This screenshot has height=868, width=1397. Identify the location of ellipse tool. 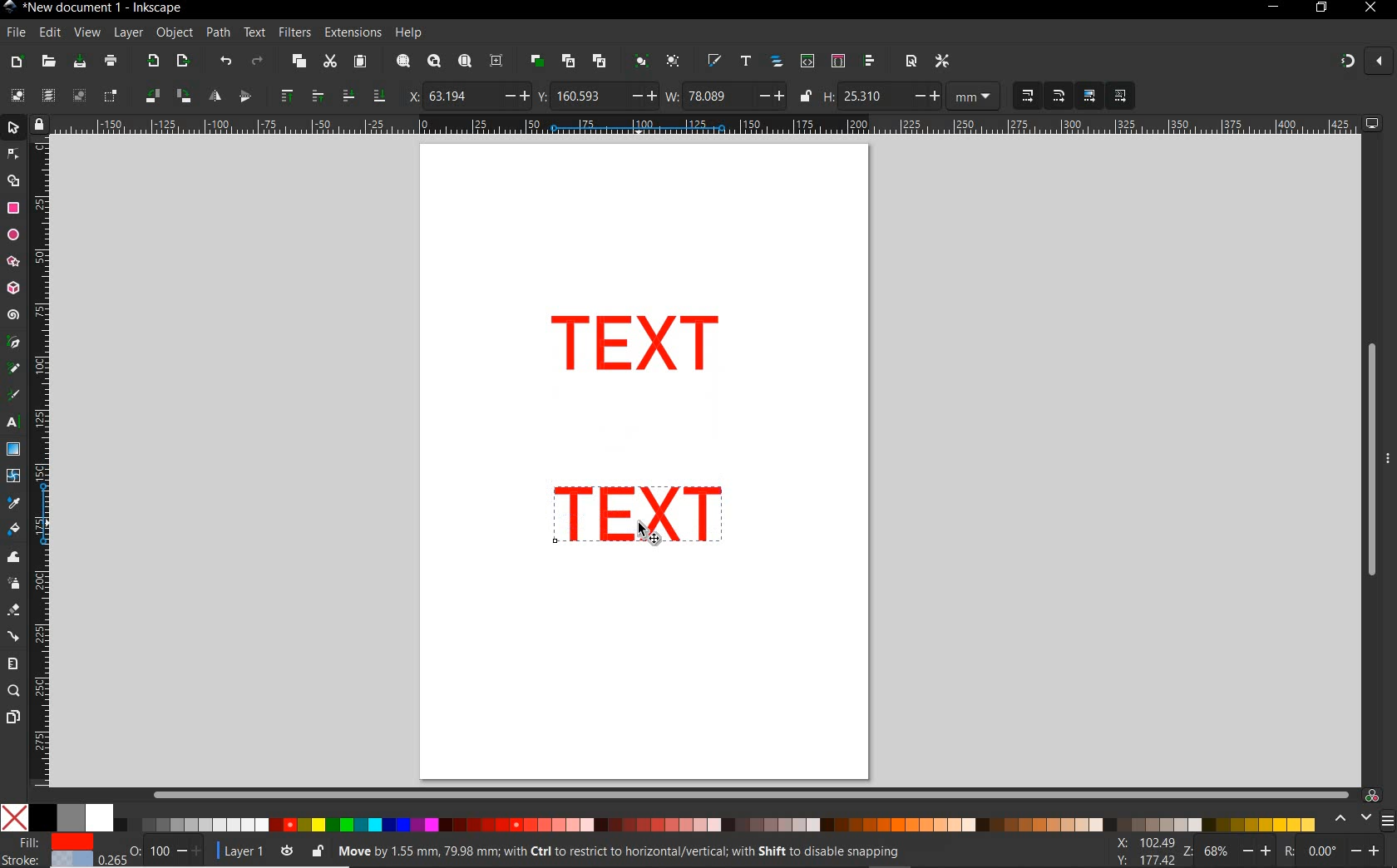
(12, 234).